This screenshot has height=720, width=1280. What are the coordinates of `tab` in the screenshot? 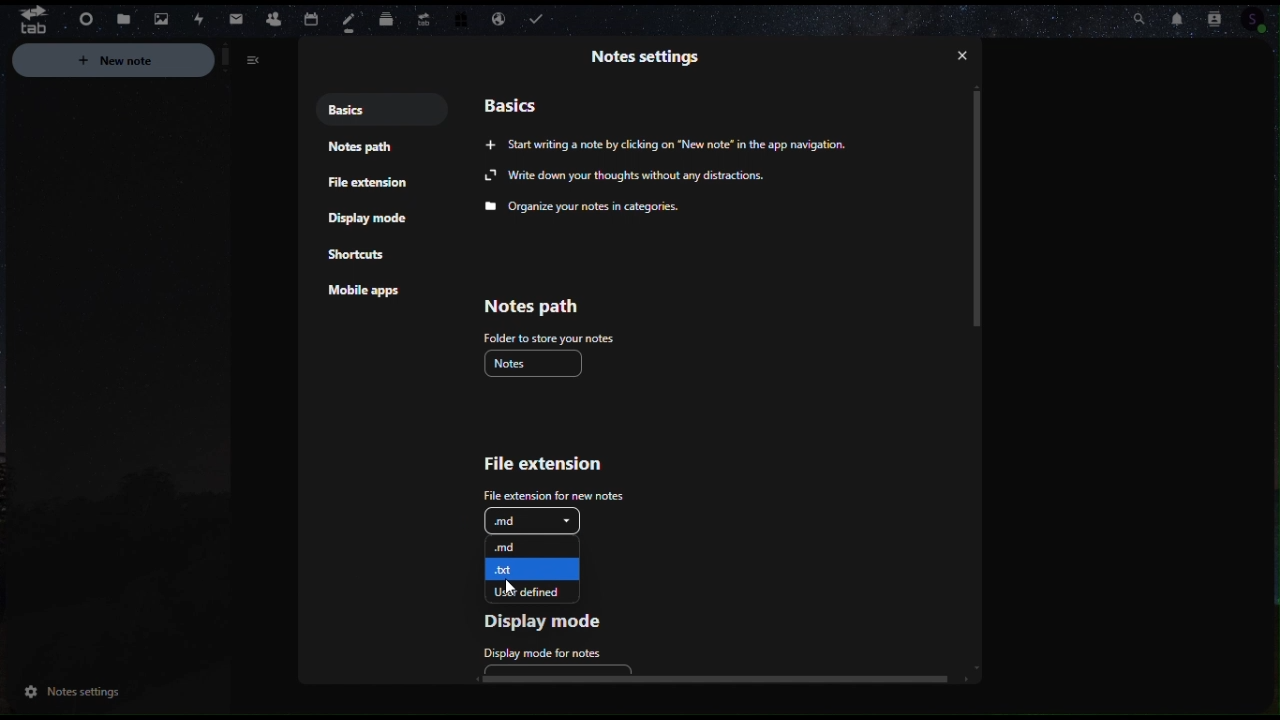 It's located at (26, 19).